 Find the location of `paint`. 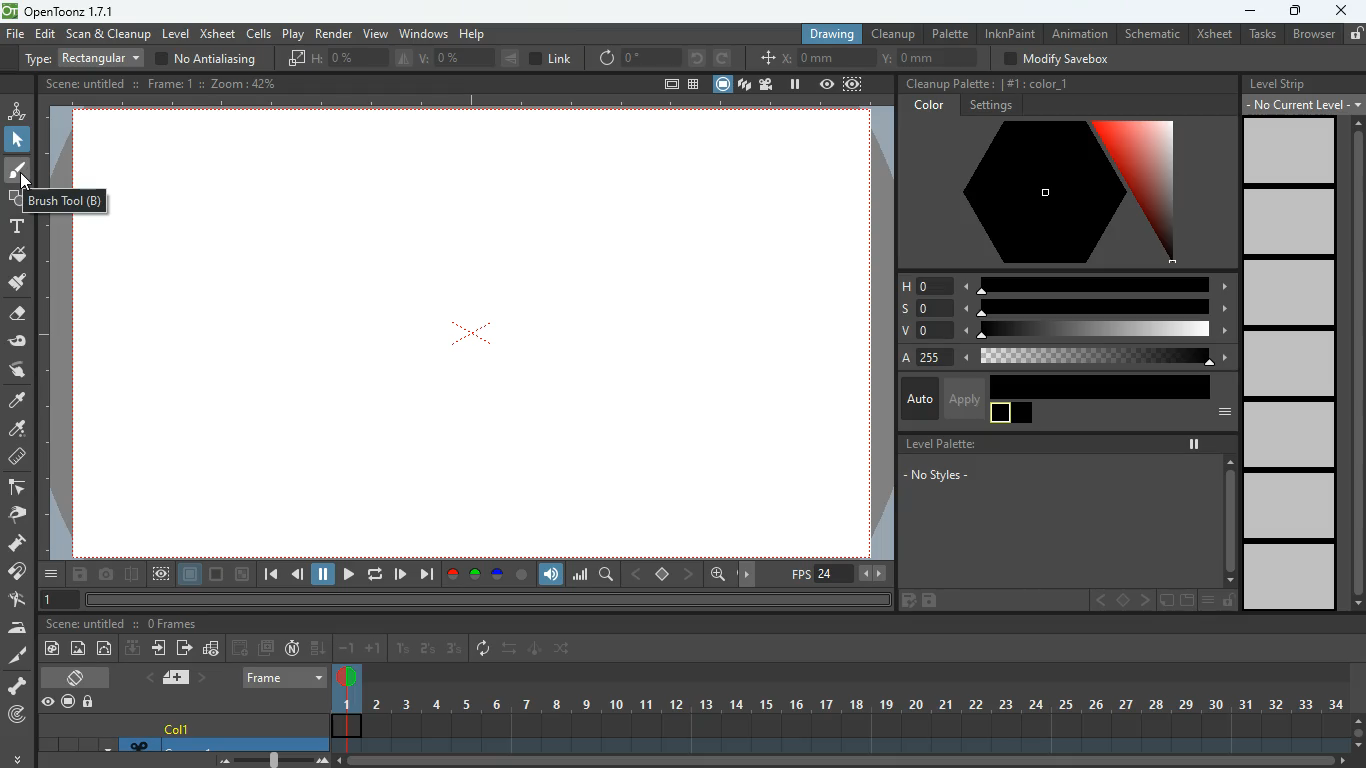

paint is located at coordinates (16, 283).